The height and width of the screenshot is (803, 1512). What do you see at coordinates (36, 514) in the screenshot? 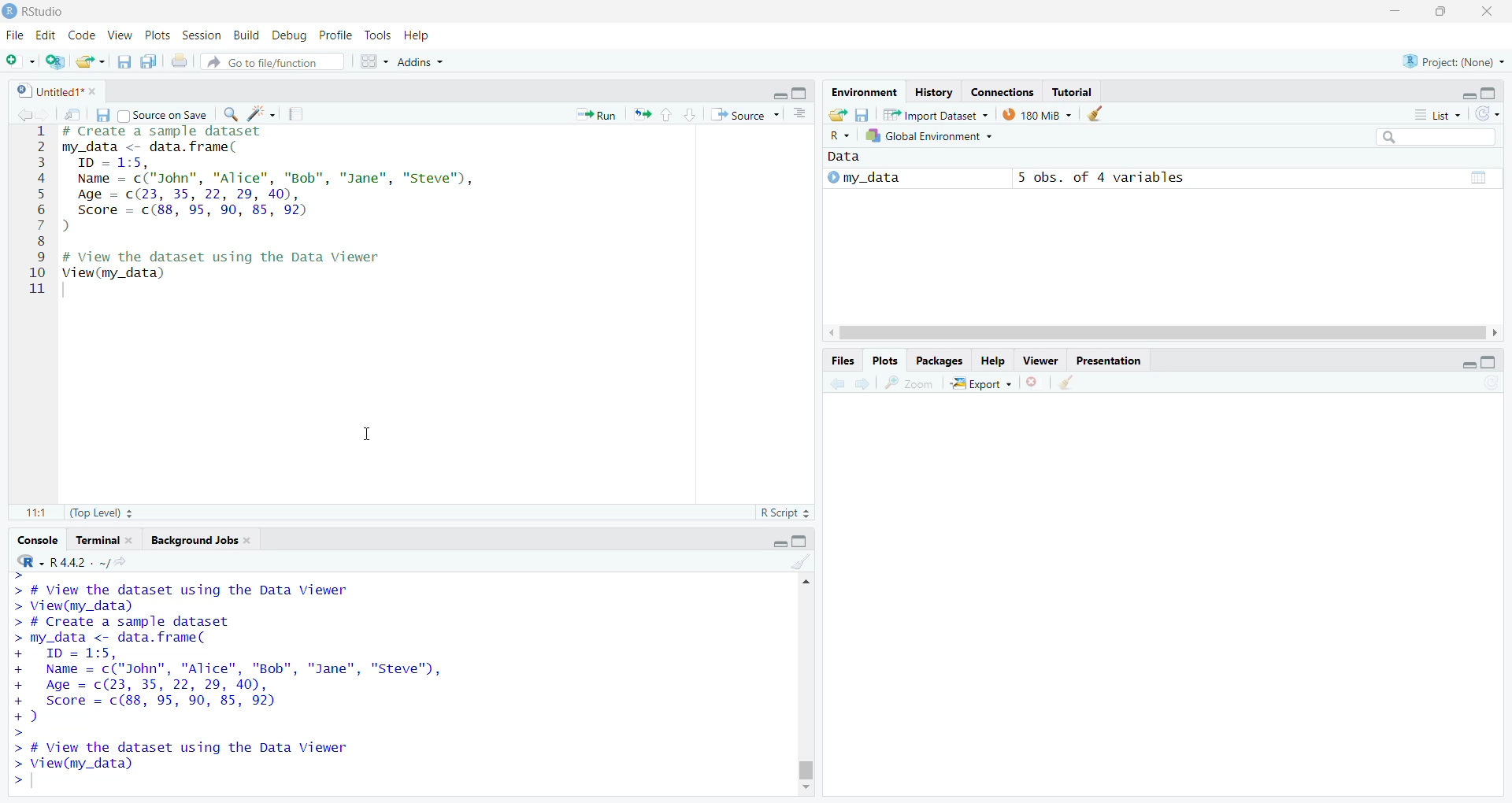
I see `1:1` at bounding box center [36, 514].